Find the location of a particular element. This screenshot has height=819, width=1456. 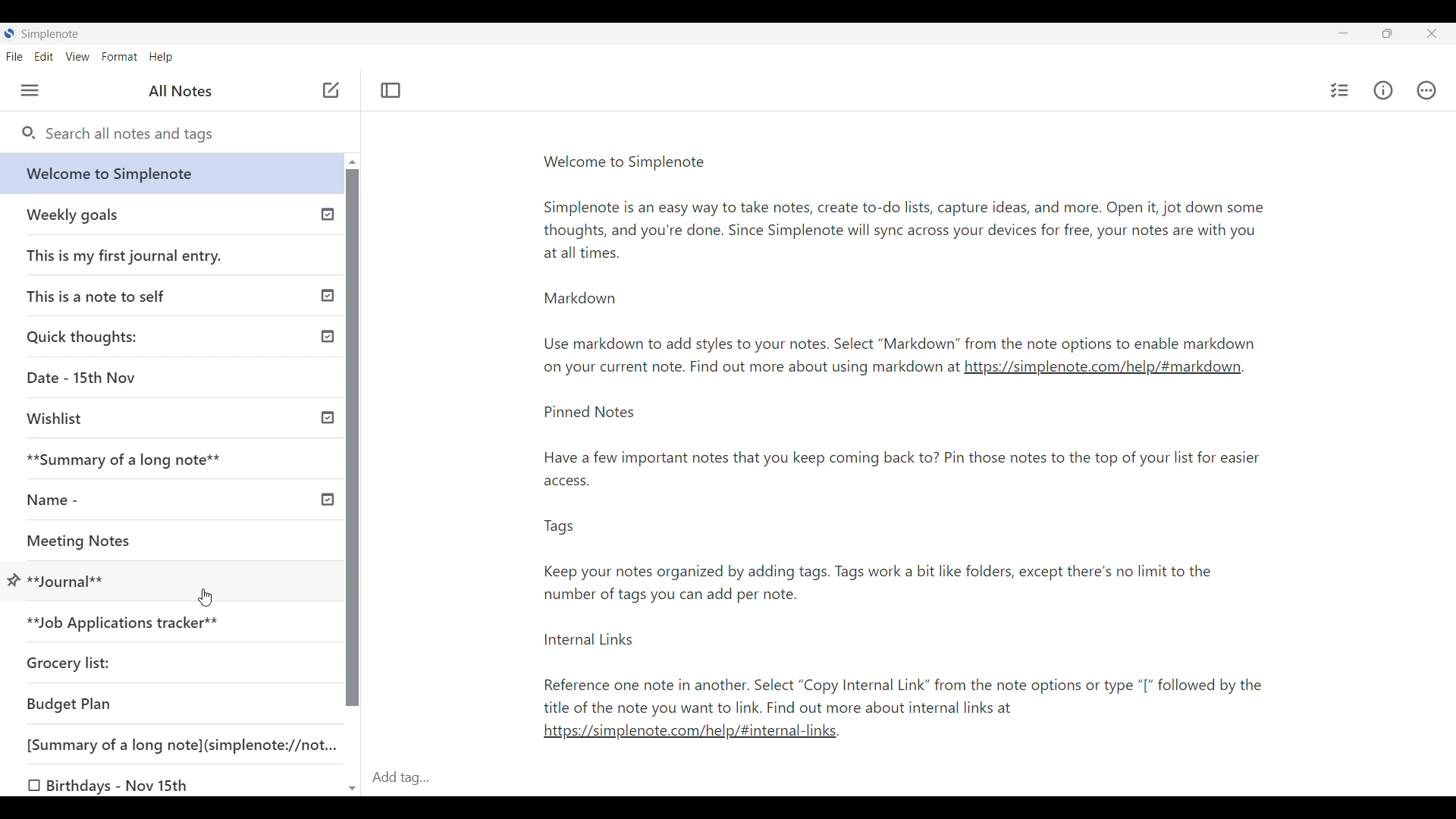

Show interface in a smaller tab is located at coordinates (1387, 33).